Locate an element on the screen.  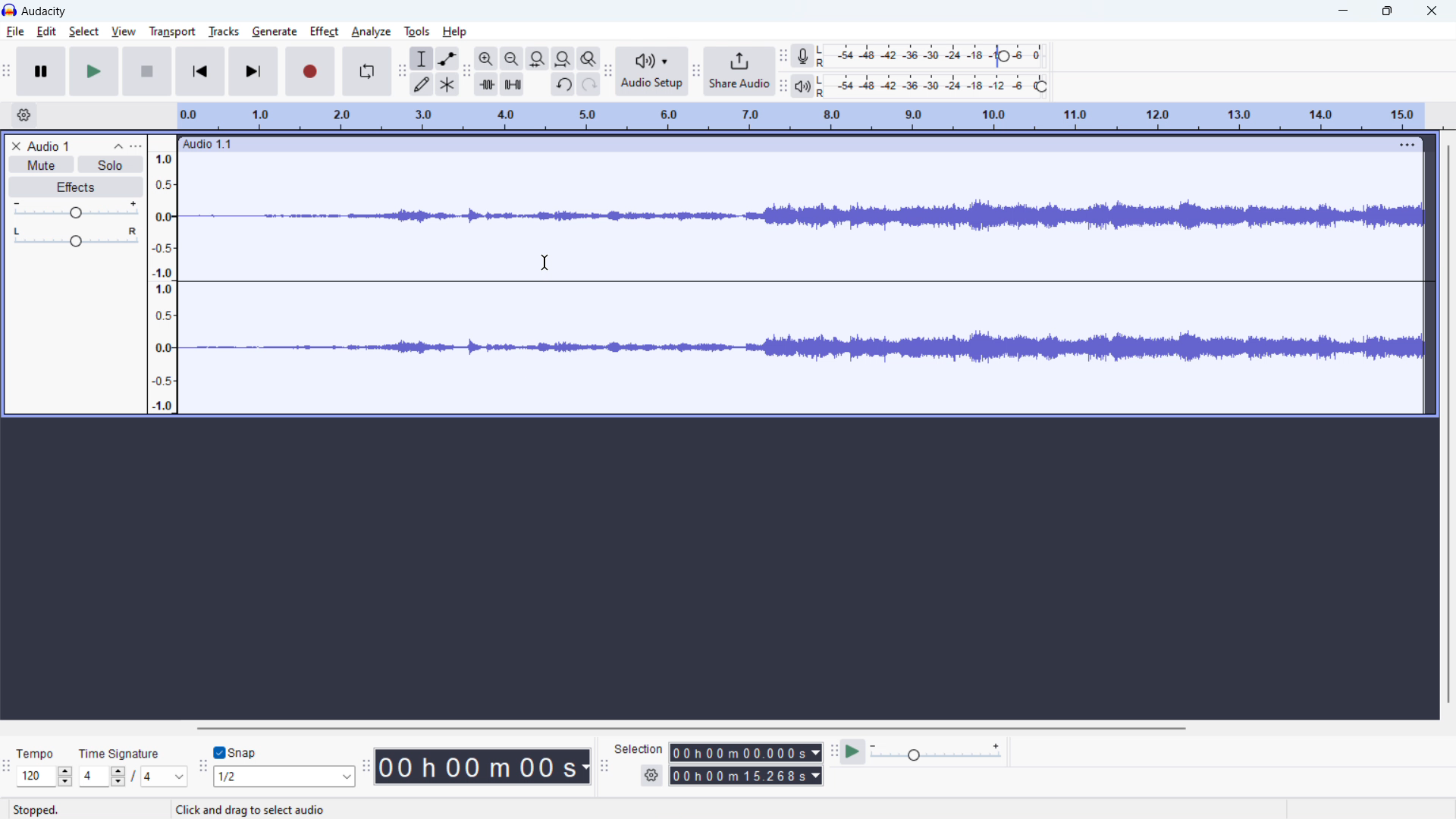
set time signature is located at coordinates (133, 766).